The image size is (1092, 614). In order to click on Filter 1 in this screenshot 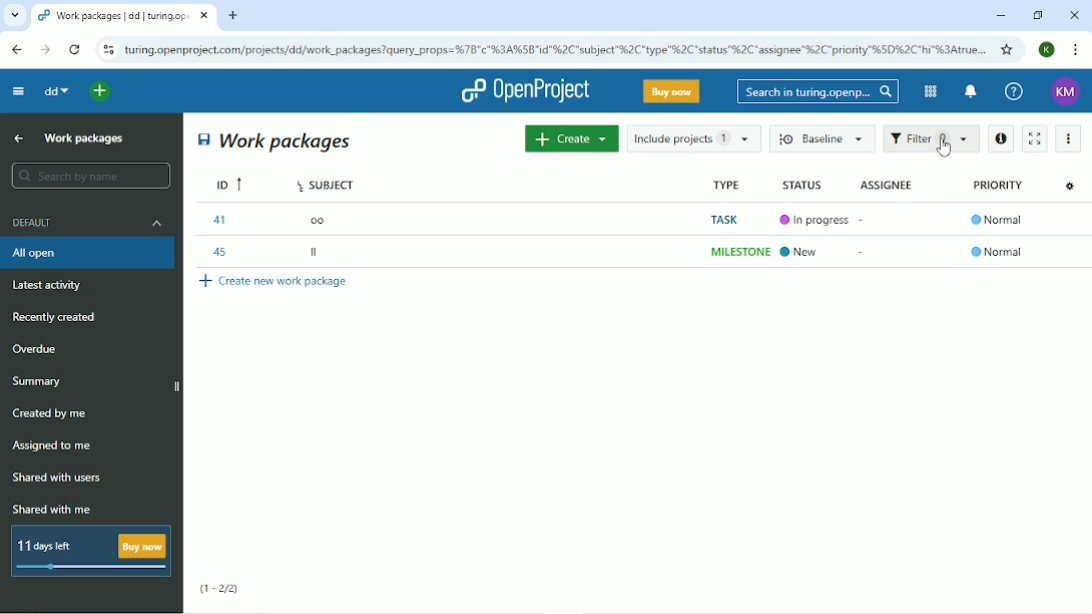, I will do `click(931, 140)`.